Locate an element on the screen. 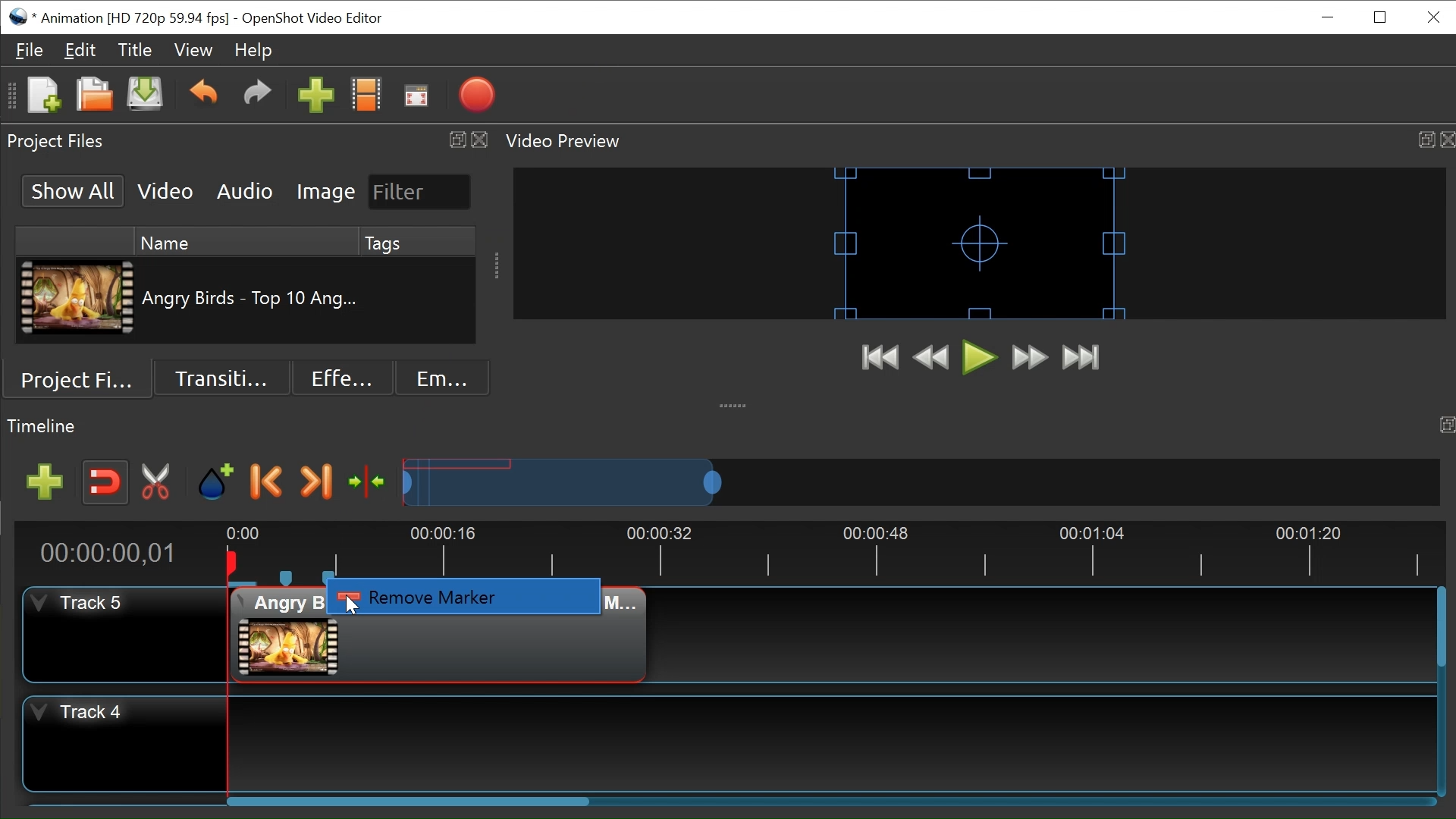  collapse is located at coordinates (735, 400).